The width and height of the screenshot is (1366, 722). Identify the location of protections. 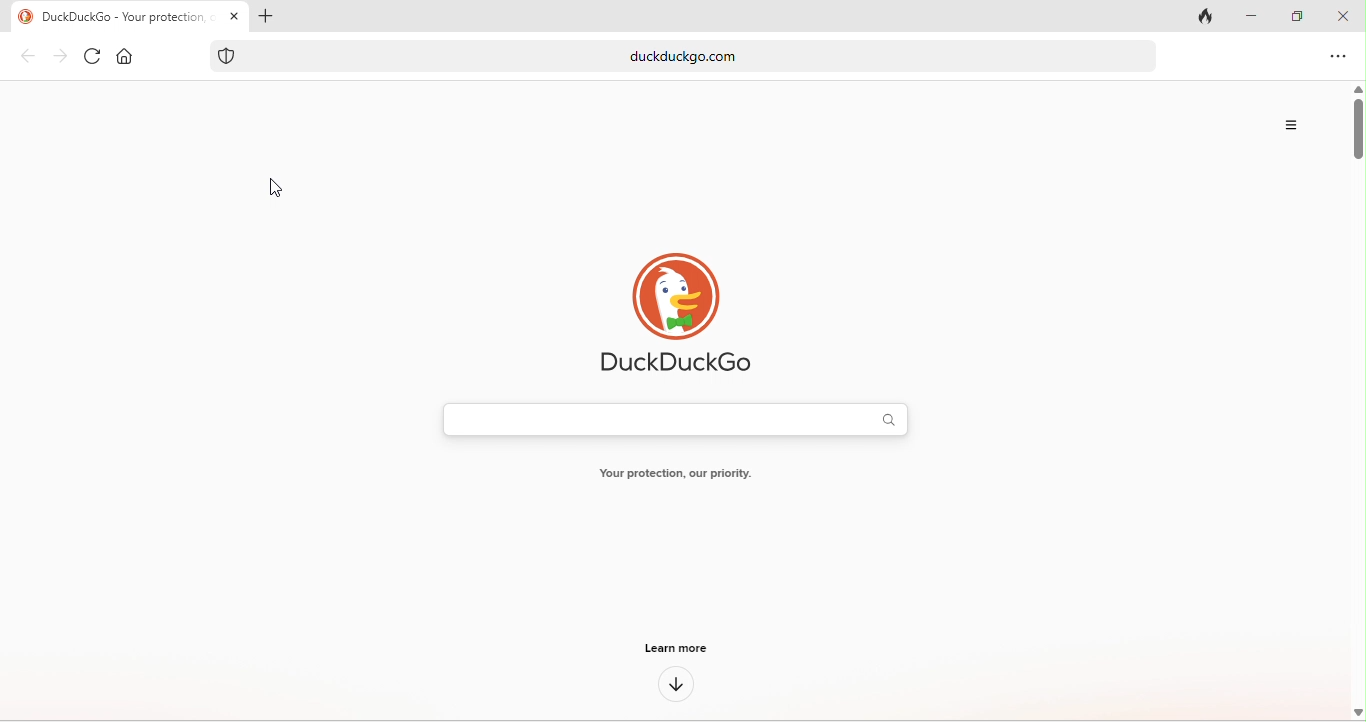
(227, 56).